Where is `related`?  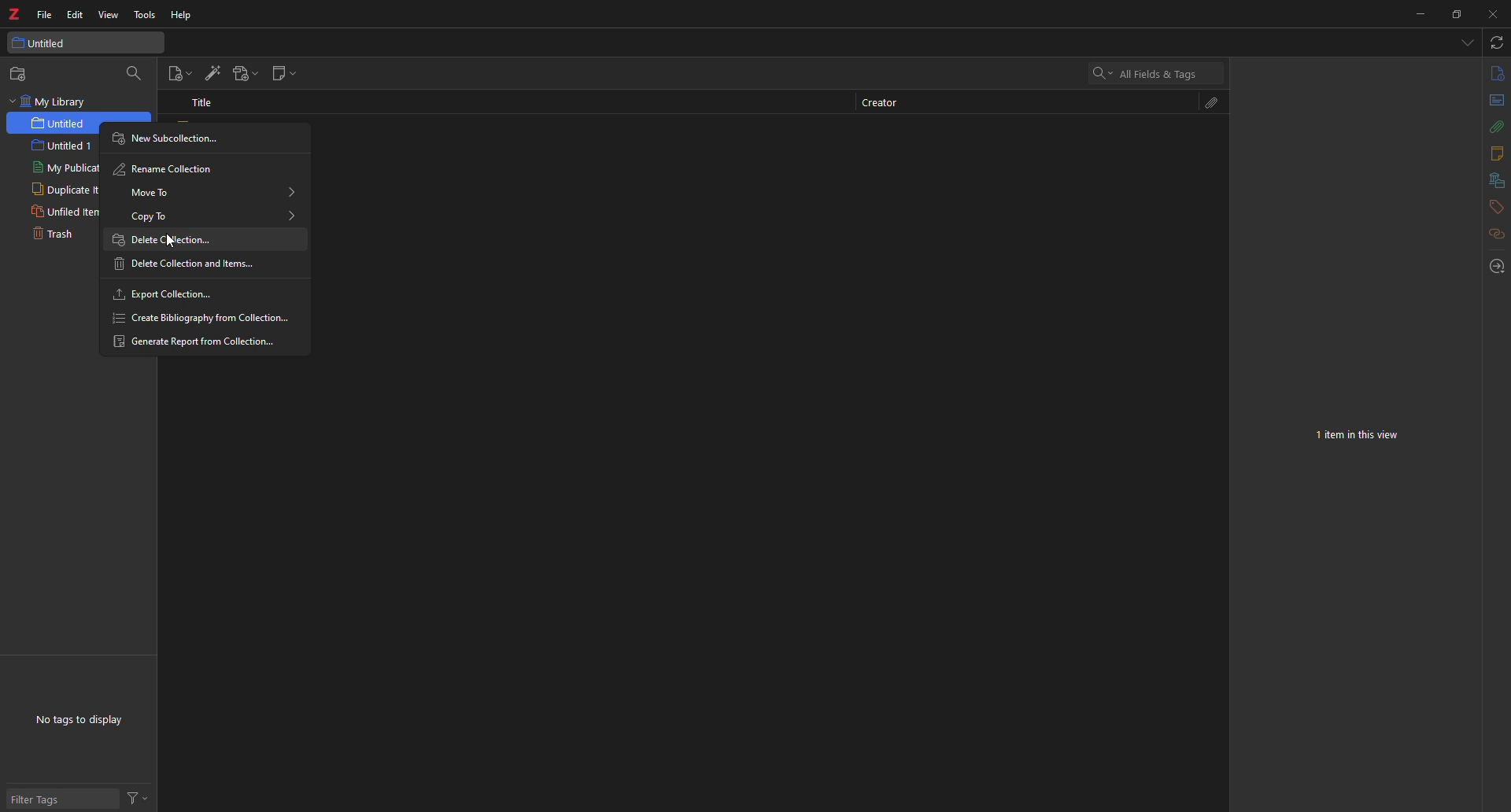 related is located at coordinates (1495, 234).